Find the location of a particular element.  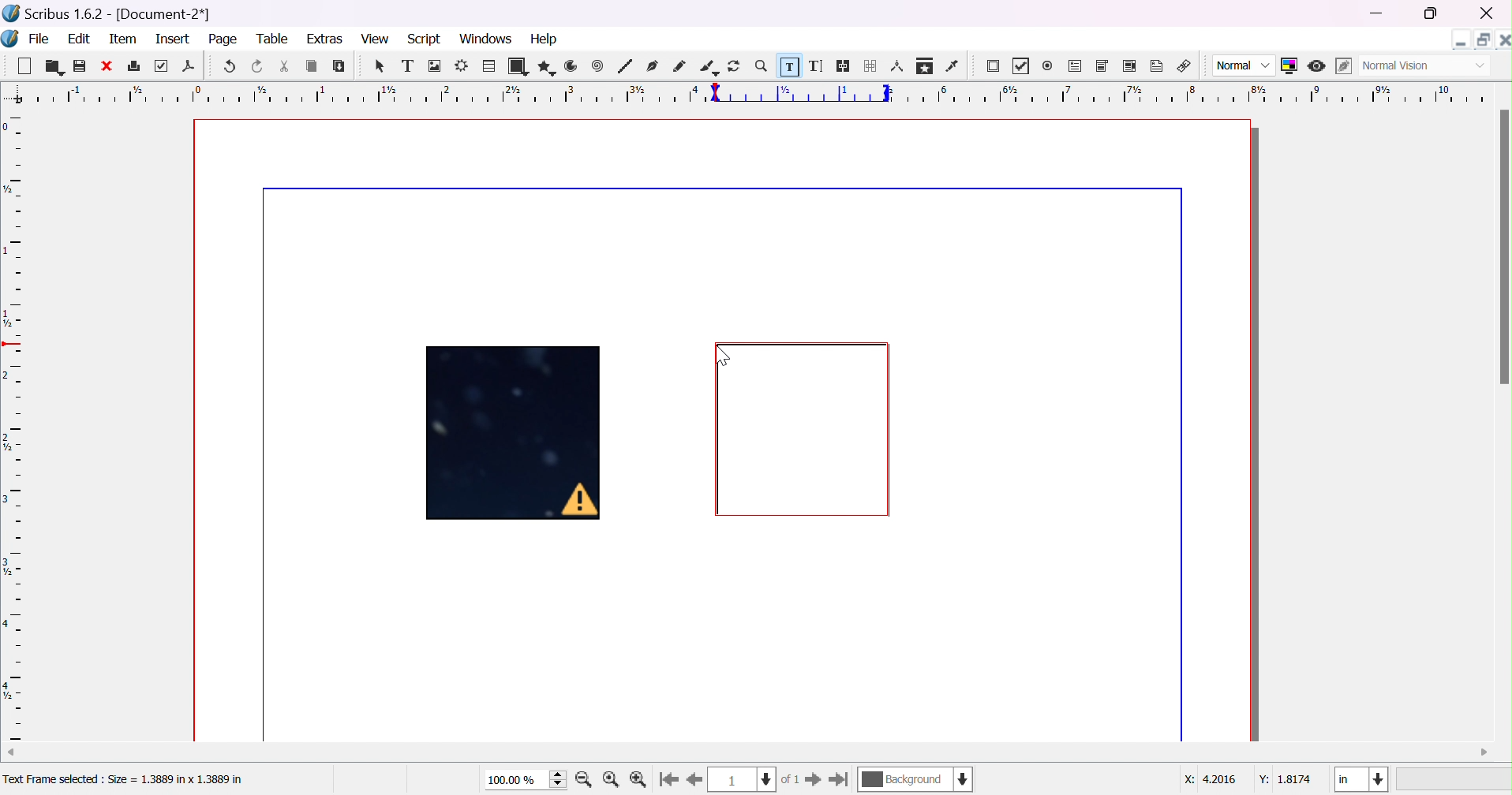

restore down is located at coordinates (1480, 36).